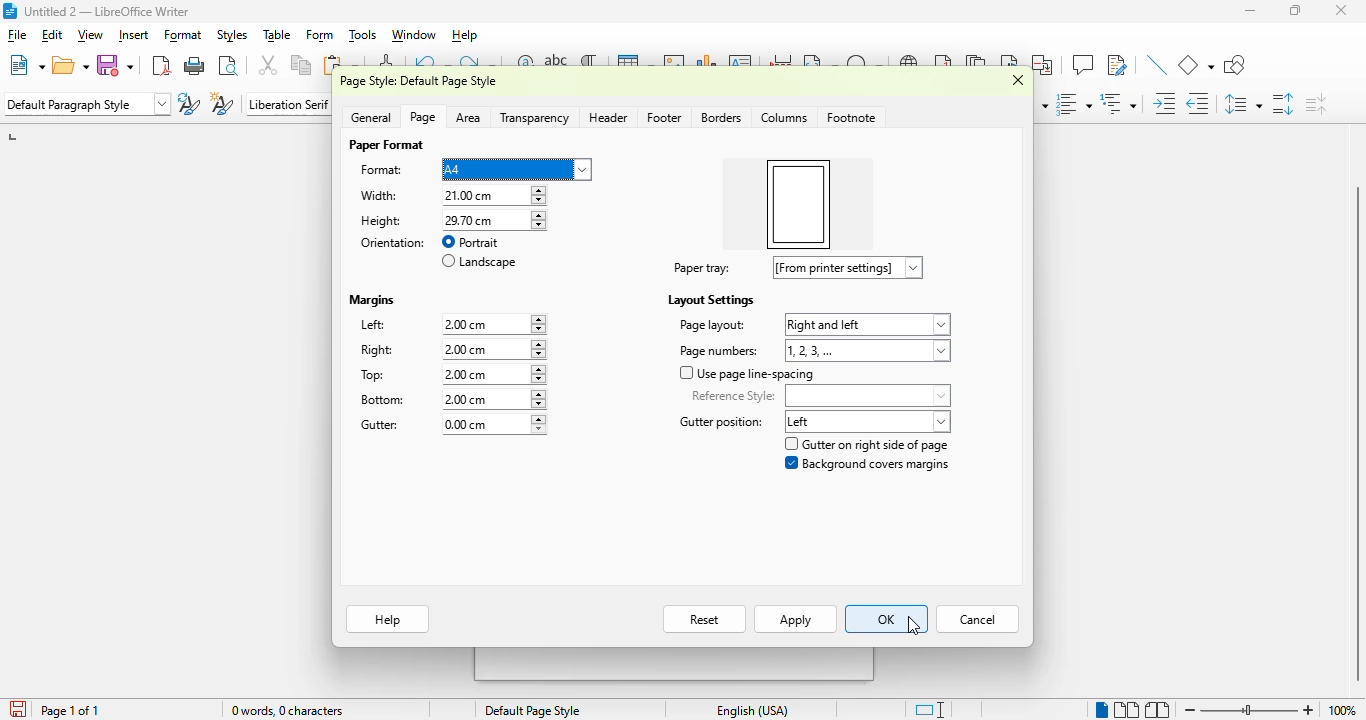 This screenshot has height=720, width=1366. What do you see at coordinates (811, 351) in the screenshot?
I see `page numbers: 1,2,3,...` at bounding box center [811, 351].